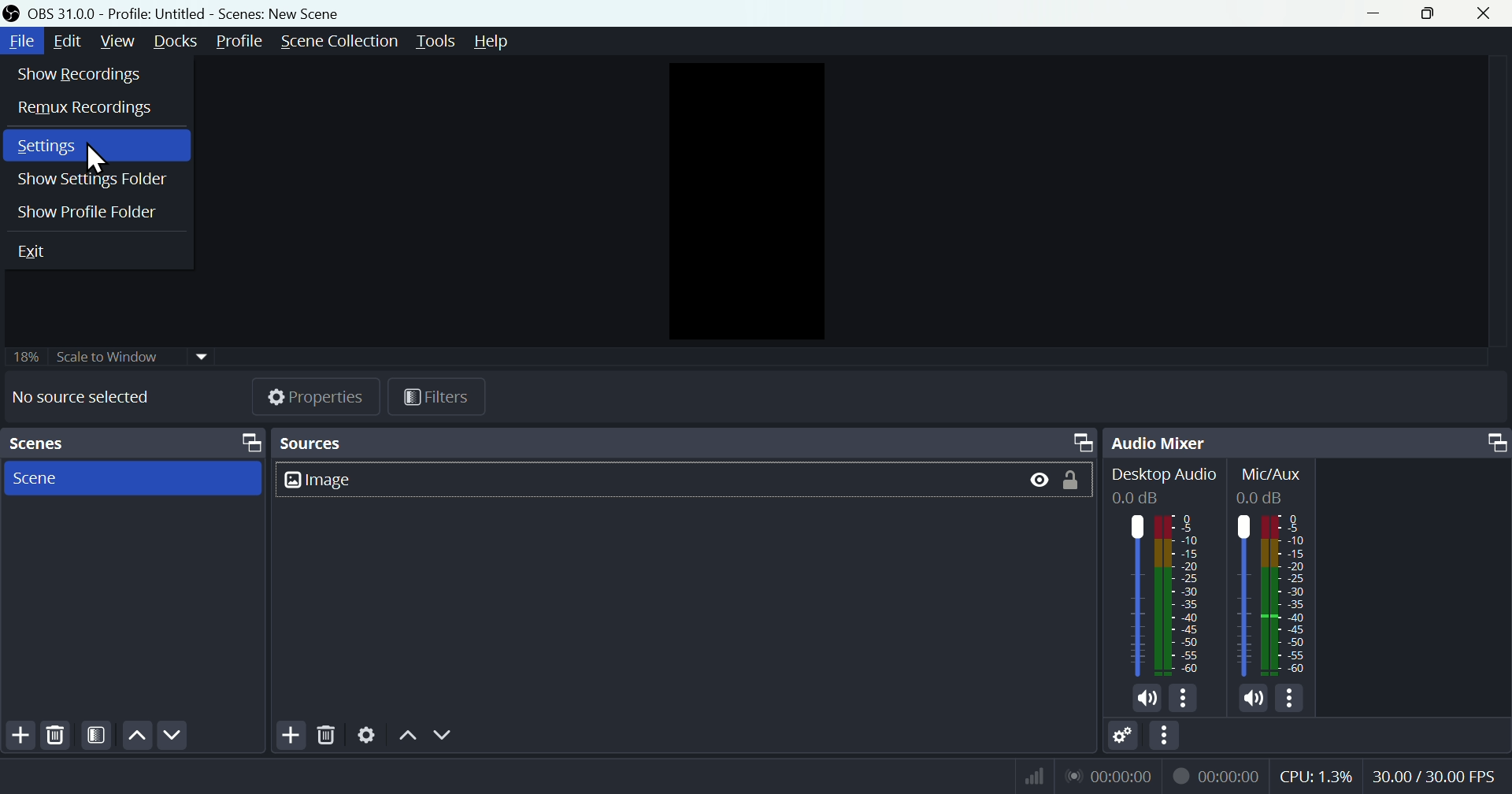 The image size is (1512, 794). I want to click on Down, so click(175, 738).